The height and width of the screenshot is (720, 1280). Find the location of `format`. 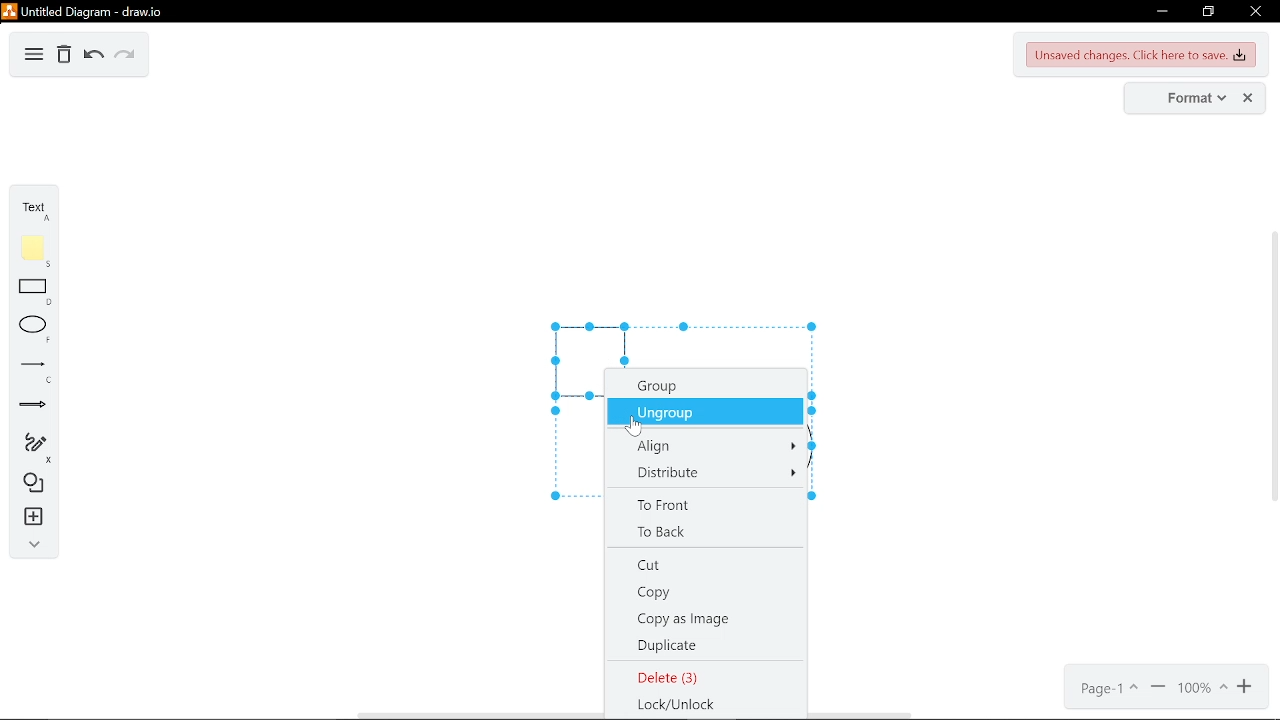

format is located at coordinates (1184, 98).